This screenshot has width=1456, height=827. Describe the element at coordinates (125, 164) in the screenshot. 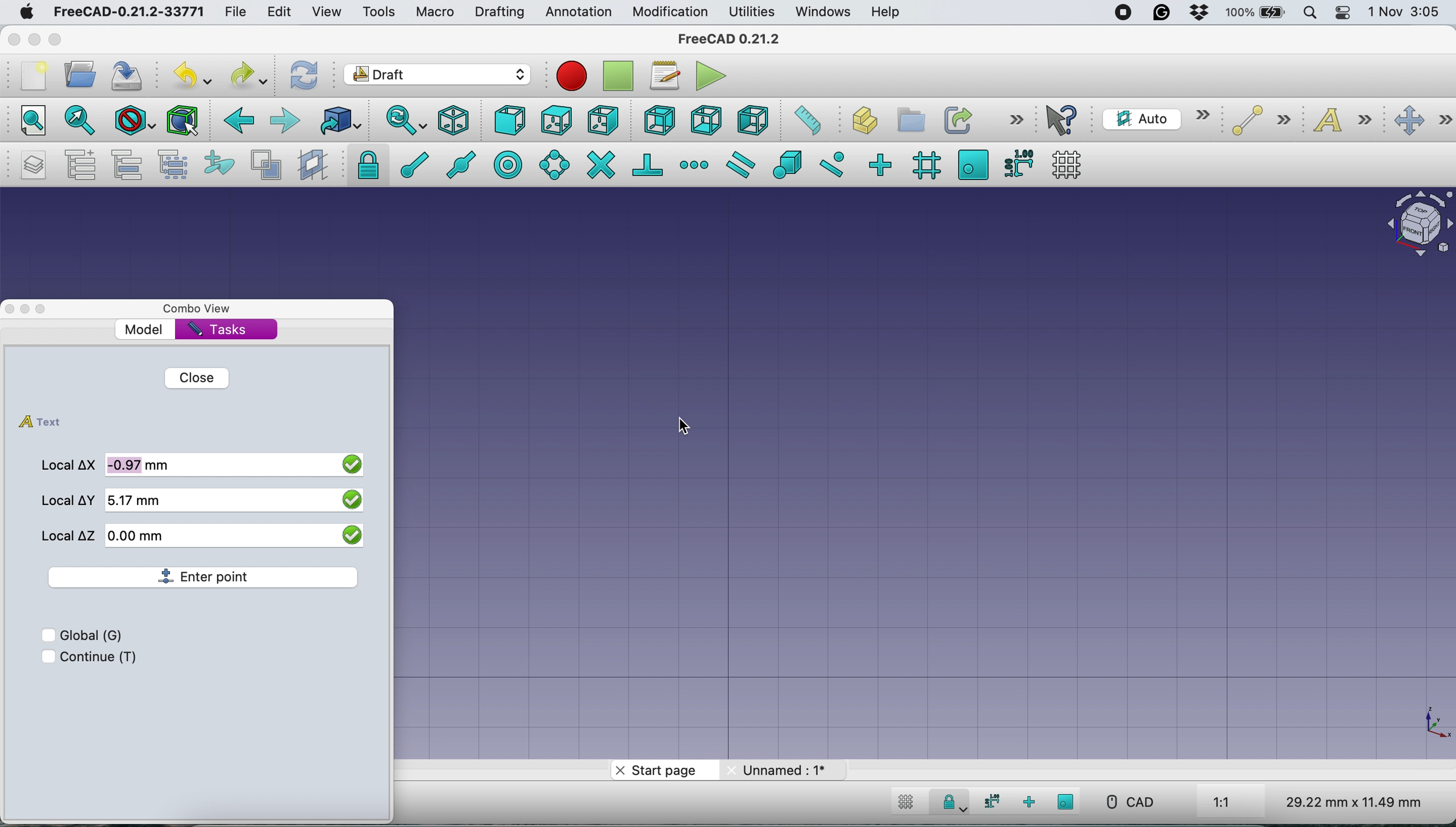

I see `move to group` at that location.